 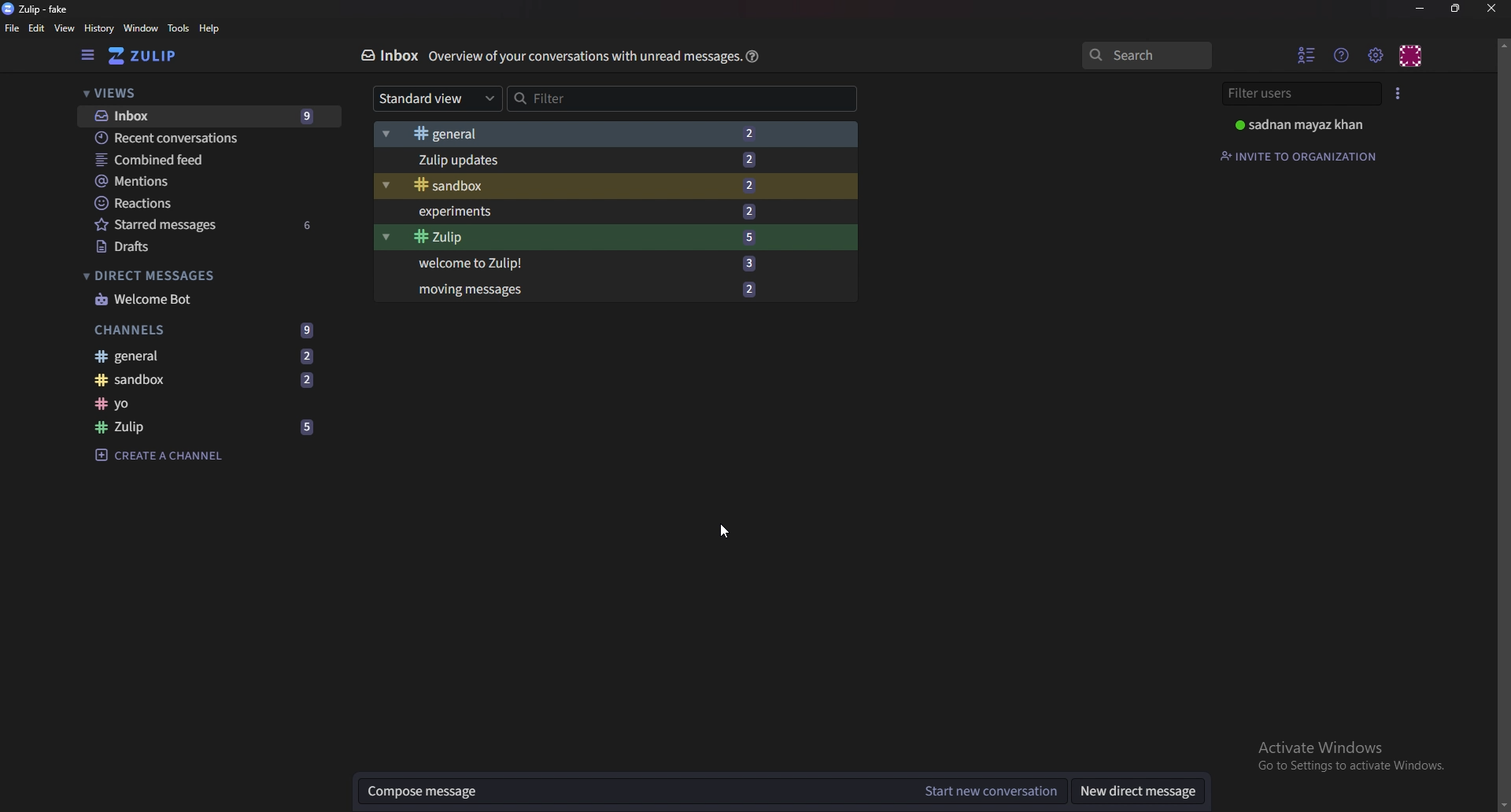 What do you see at coordinates (211, 138) in the screenshot?
I see `Recent conversations` at bounding box center [211, 138].